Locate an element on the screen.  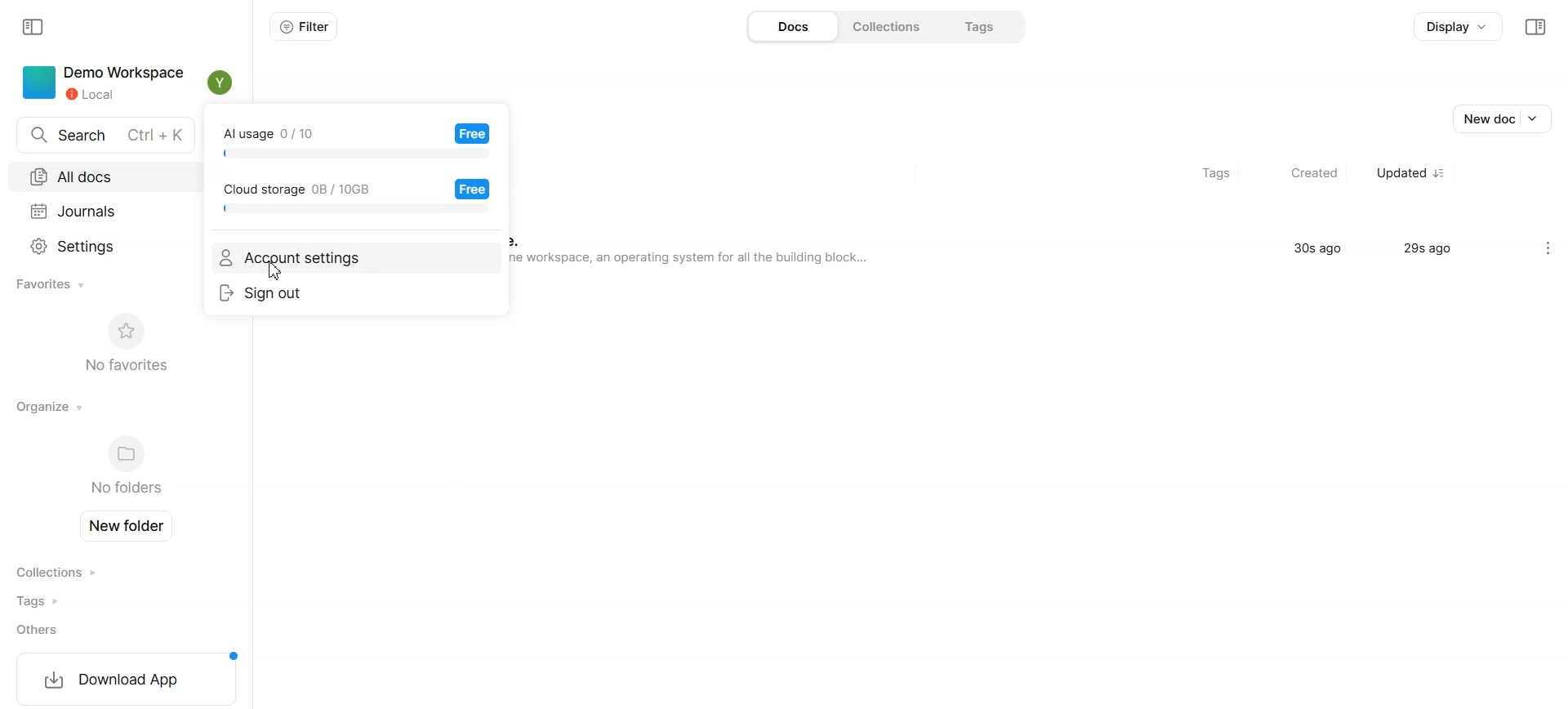
Cloud storage usage bar is located at coordinates (355, 198).